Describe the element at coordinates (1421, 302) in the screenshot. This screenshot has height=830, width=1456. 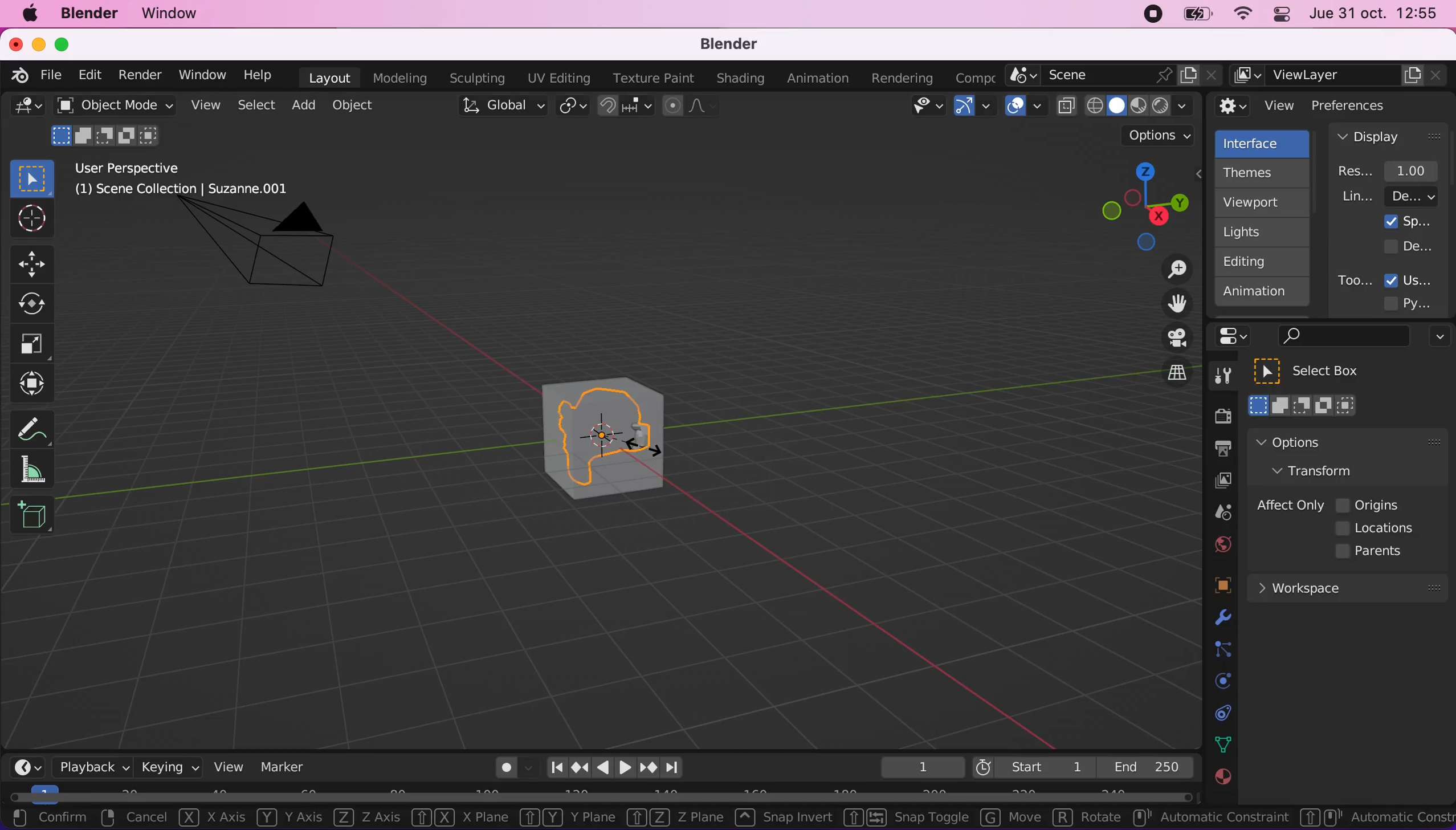
I see `python tooltips` at that location.